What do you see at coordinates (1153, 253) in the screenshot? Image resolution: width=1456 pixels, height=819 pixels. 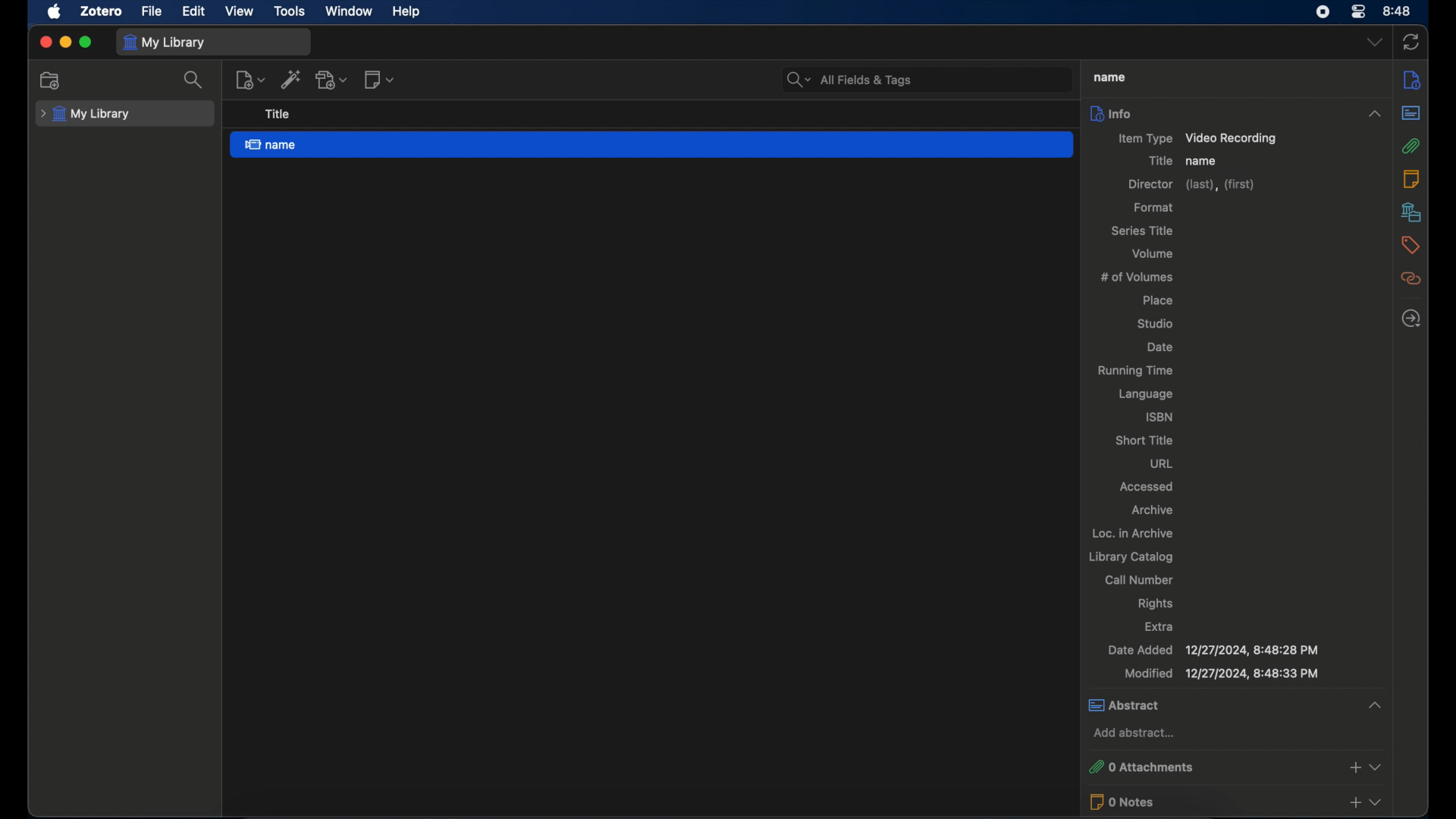 I see `volume` at bounding box center [1153, 253].